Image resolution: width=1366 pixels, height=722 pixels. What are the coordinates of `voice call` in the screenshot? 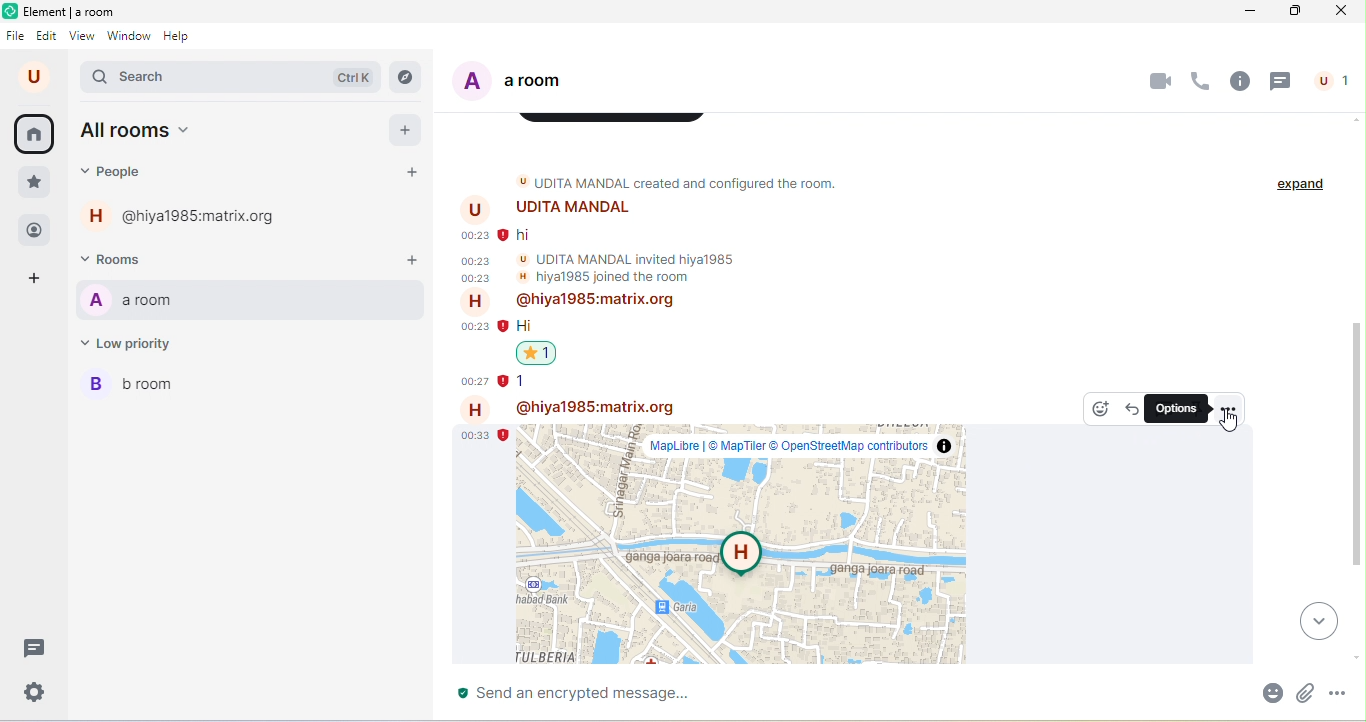 It's located at (1201, 82).